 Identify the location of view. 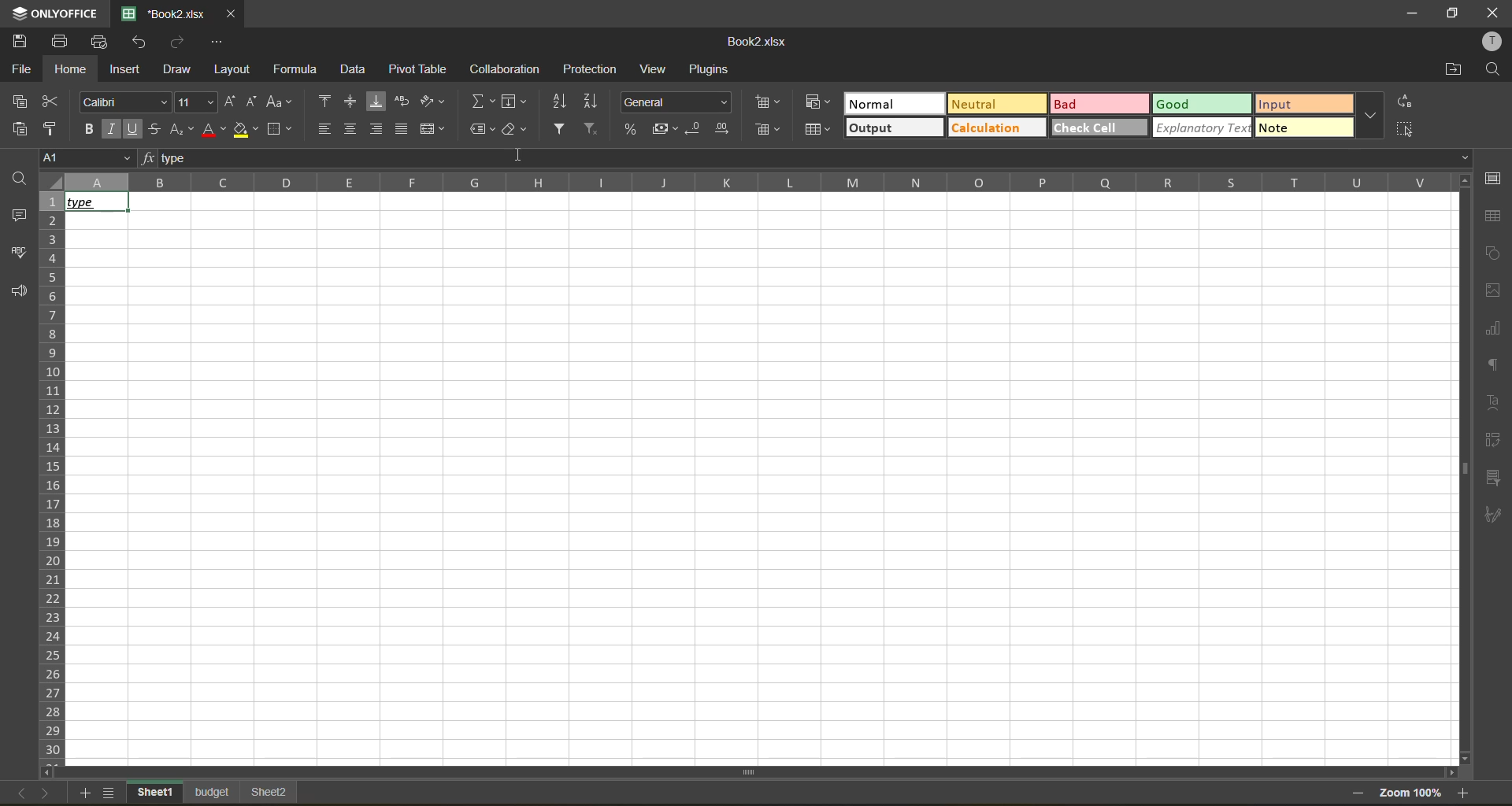
(655, 69).